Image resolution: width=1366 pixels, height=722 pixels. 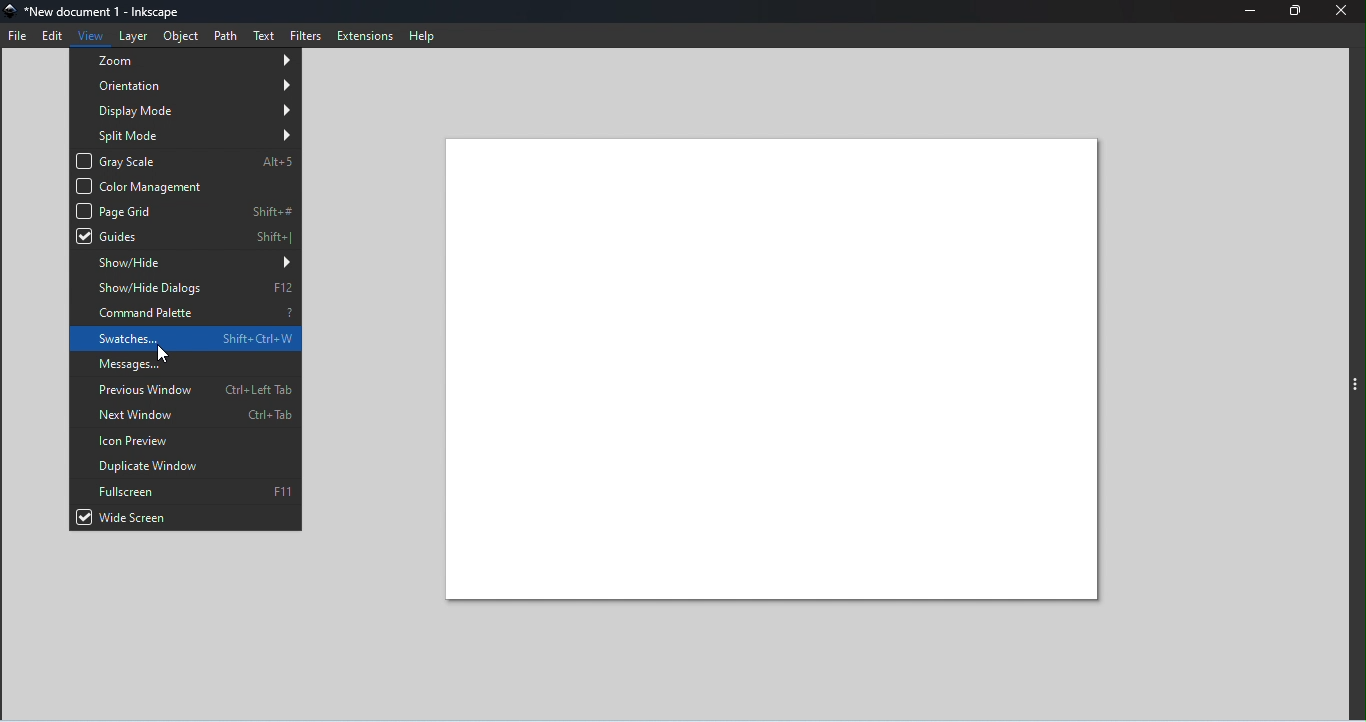 What do you see at coordinates (99, 11) in the screenshot?
I see `File name` at bounding box center [99, 11].